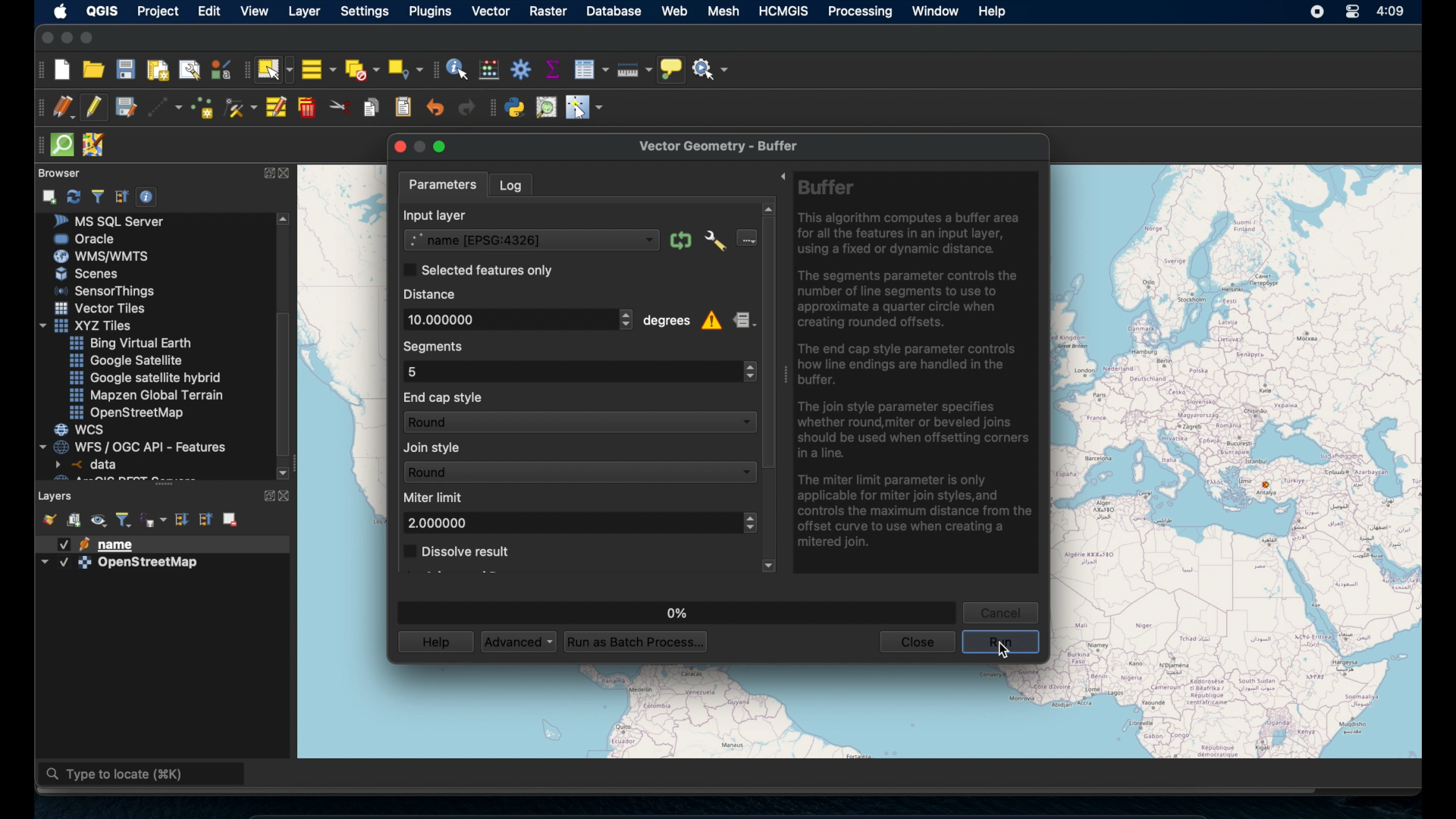 The width and height of the screenshot is (1456, 819). Describe the element at coordinates (56, 494) in the screenshot. I see `layers` at that location.